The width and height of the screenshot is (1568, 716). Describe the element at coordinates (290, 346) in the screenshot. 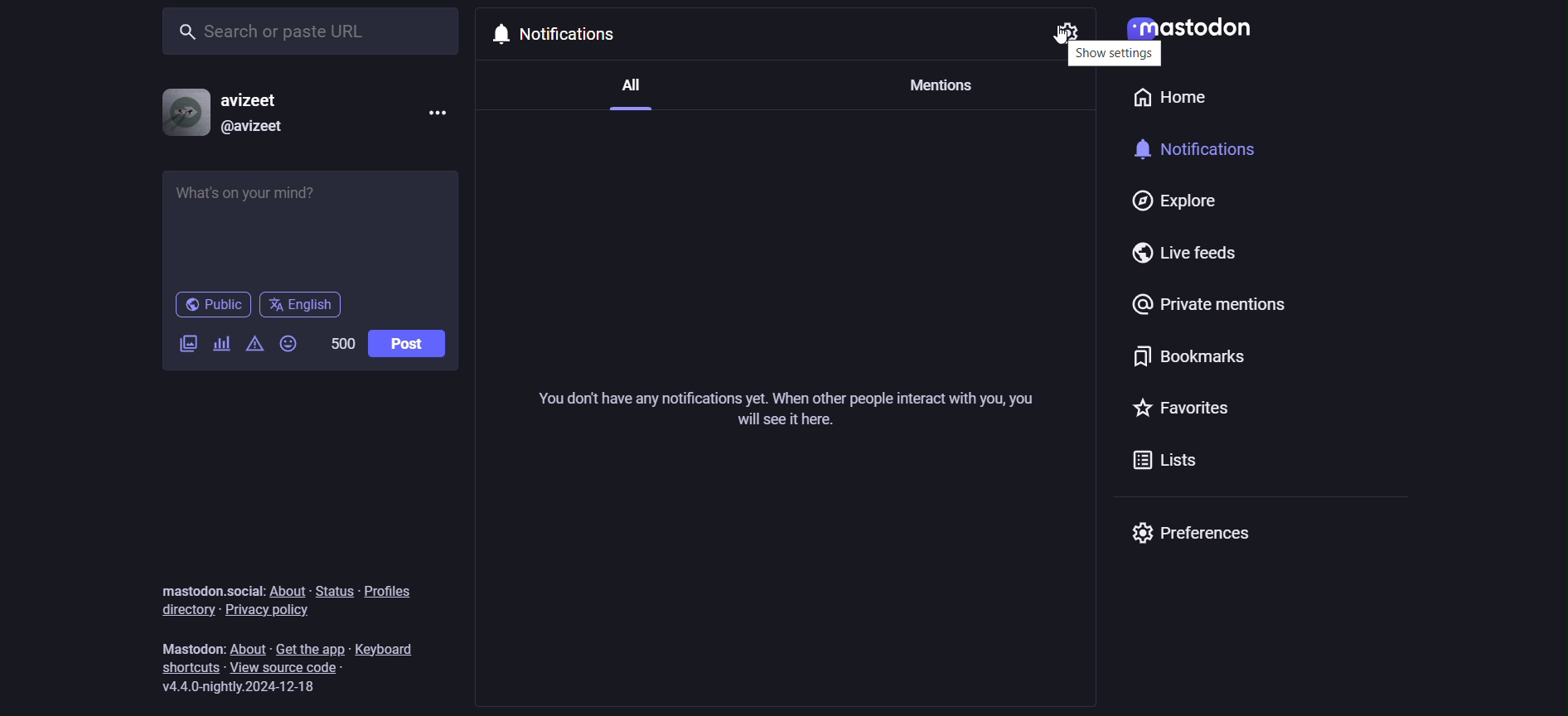

I see `emojis` at that location.